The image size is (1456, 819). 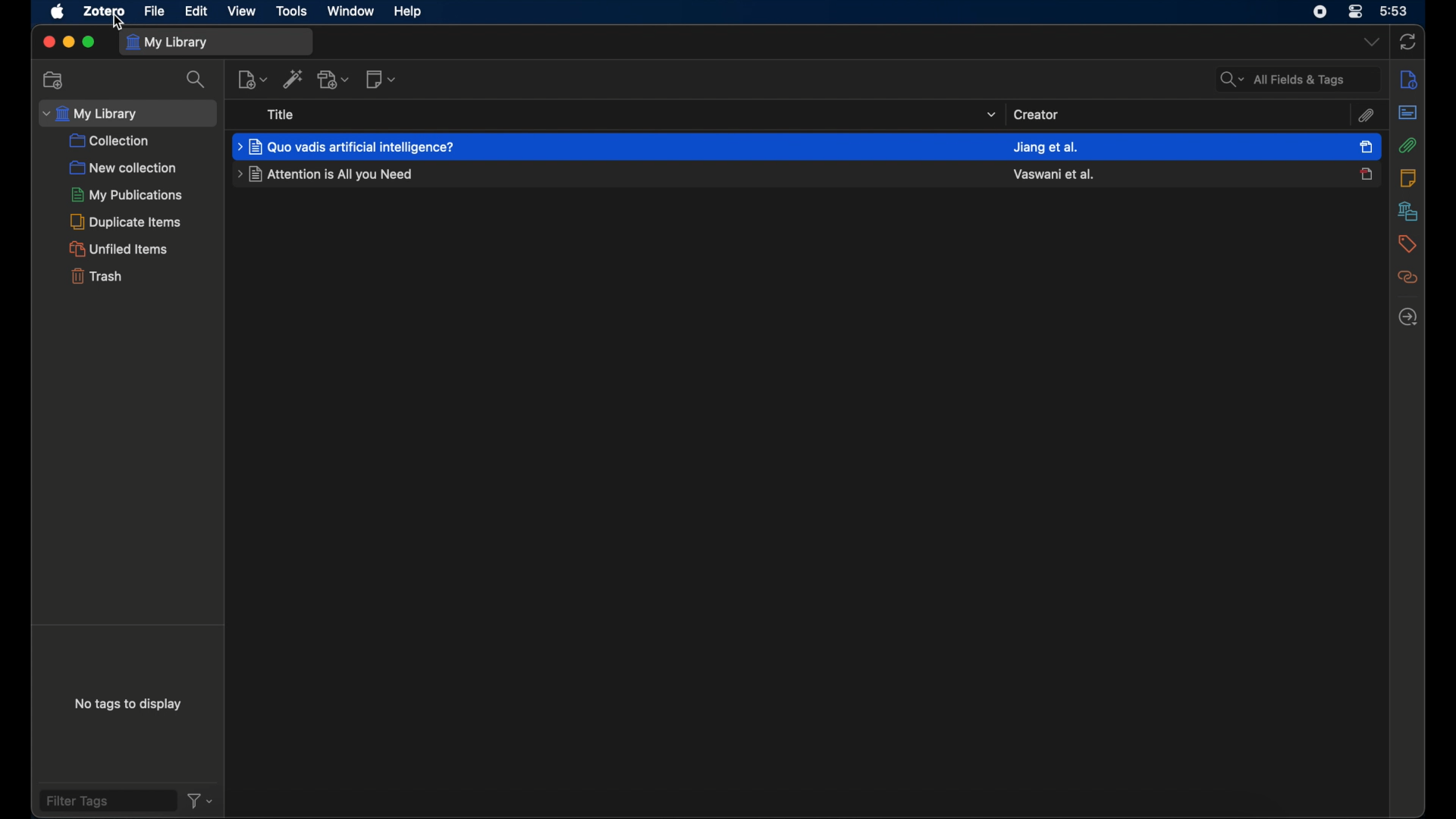 What do you see at coordinates (1407, 41) in the screenshot?
I see `sync` at bounding box center [1407, 41].